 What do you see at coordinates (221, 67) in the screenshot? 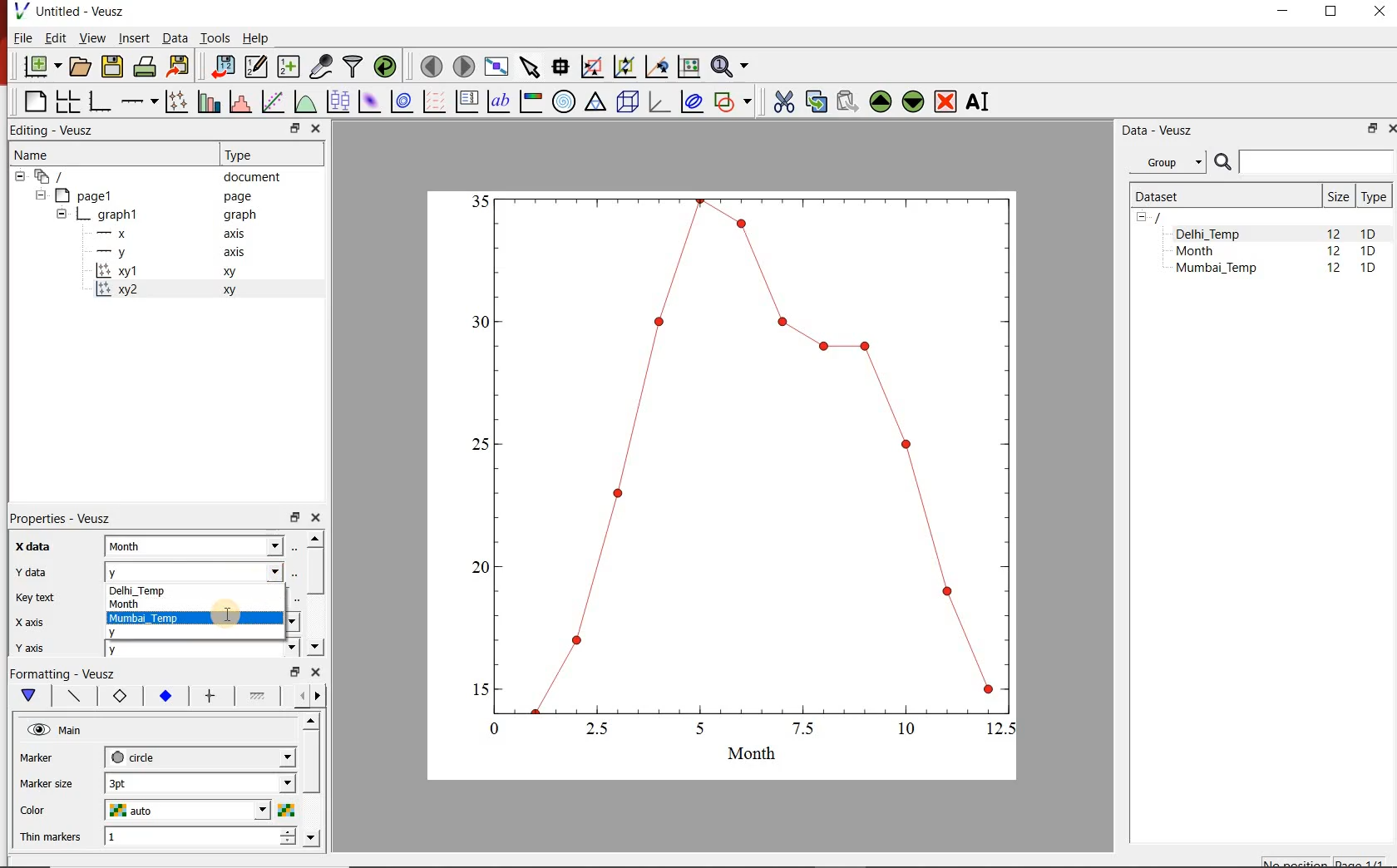
I see `import data into Veusz` at bounding box center [221, 67].